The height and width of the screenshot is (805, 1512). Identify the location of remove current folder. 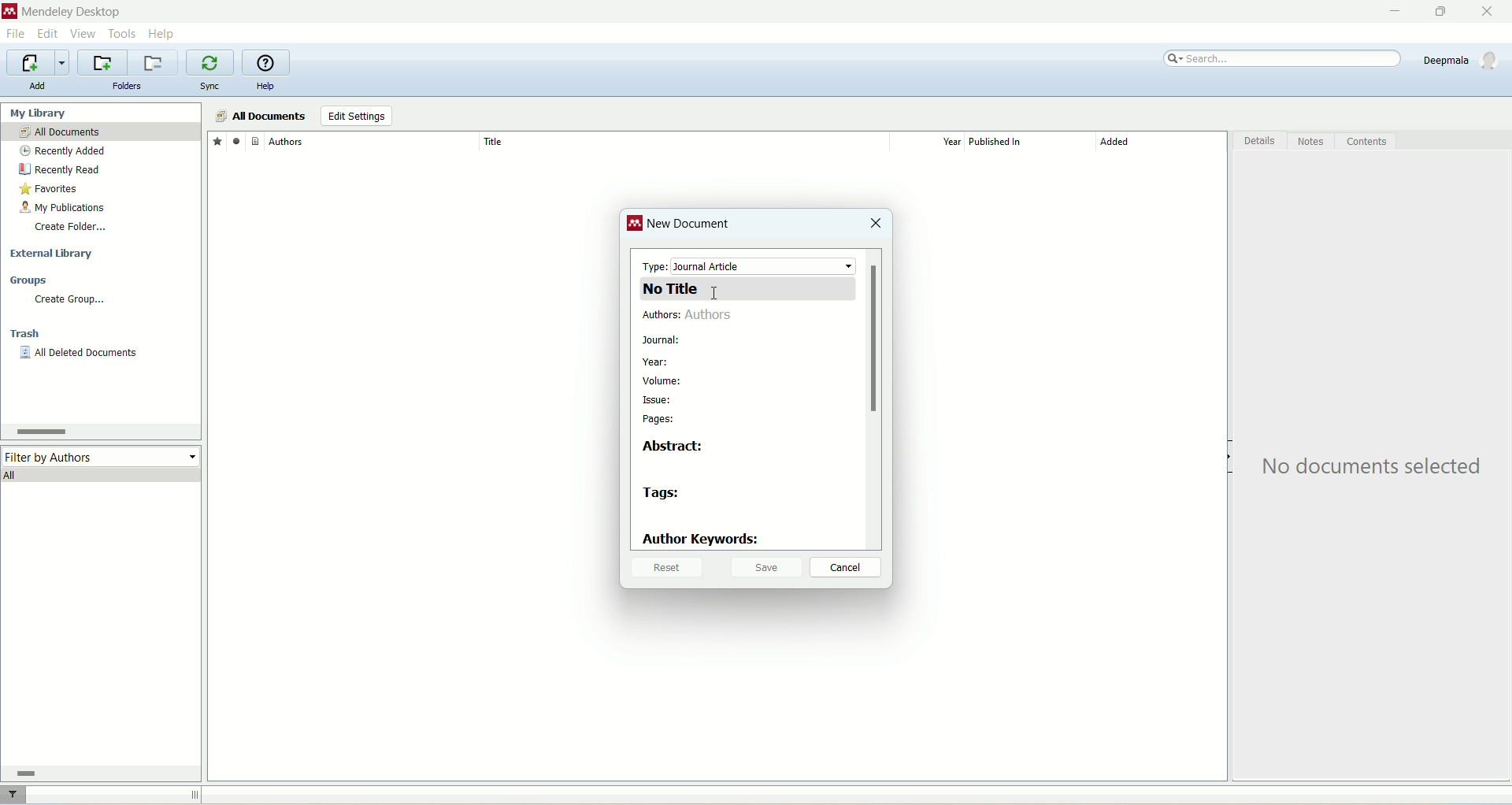
(155, 62).